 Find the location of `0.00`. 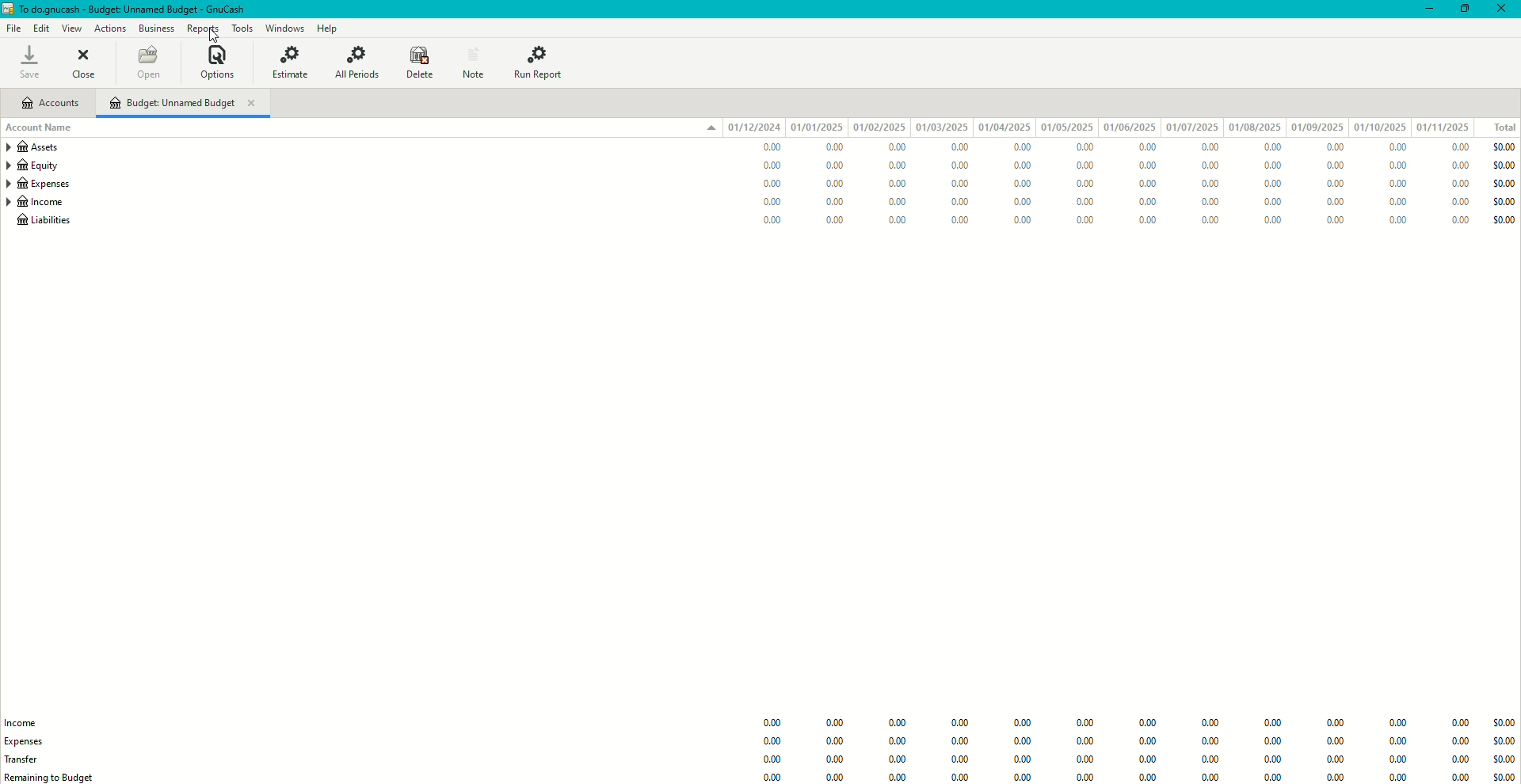

0.00 is located at coordinates (963, 777).